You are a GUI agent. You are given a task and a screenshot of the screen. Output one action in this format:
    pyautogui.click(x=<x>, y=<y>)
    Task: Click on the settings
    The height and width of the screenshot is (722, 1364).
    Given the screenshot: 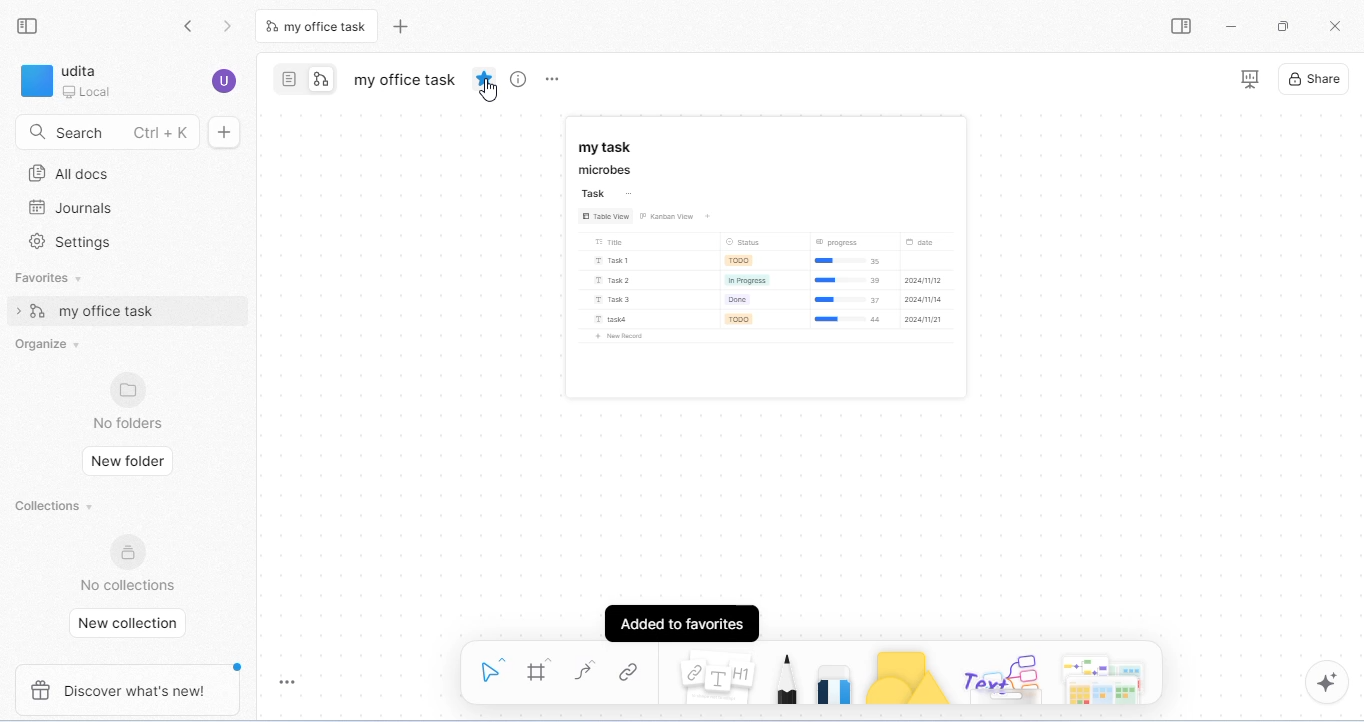 What is the action you would take?
    pyautogui.click(x=75, y=241)
    